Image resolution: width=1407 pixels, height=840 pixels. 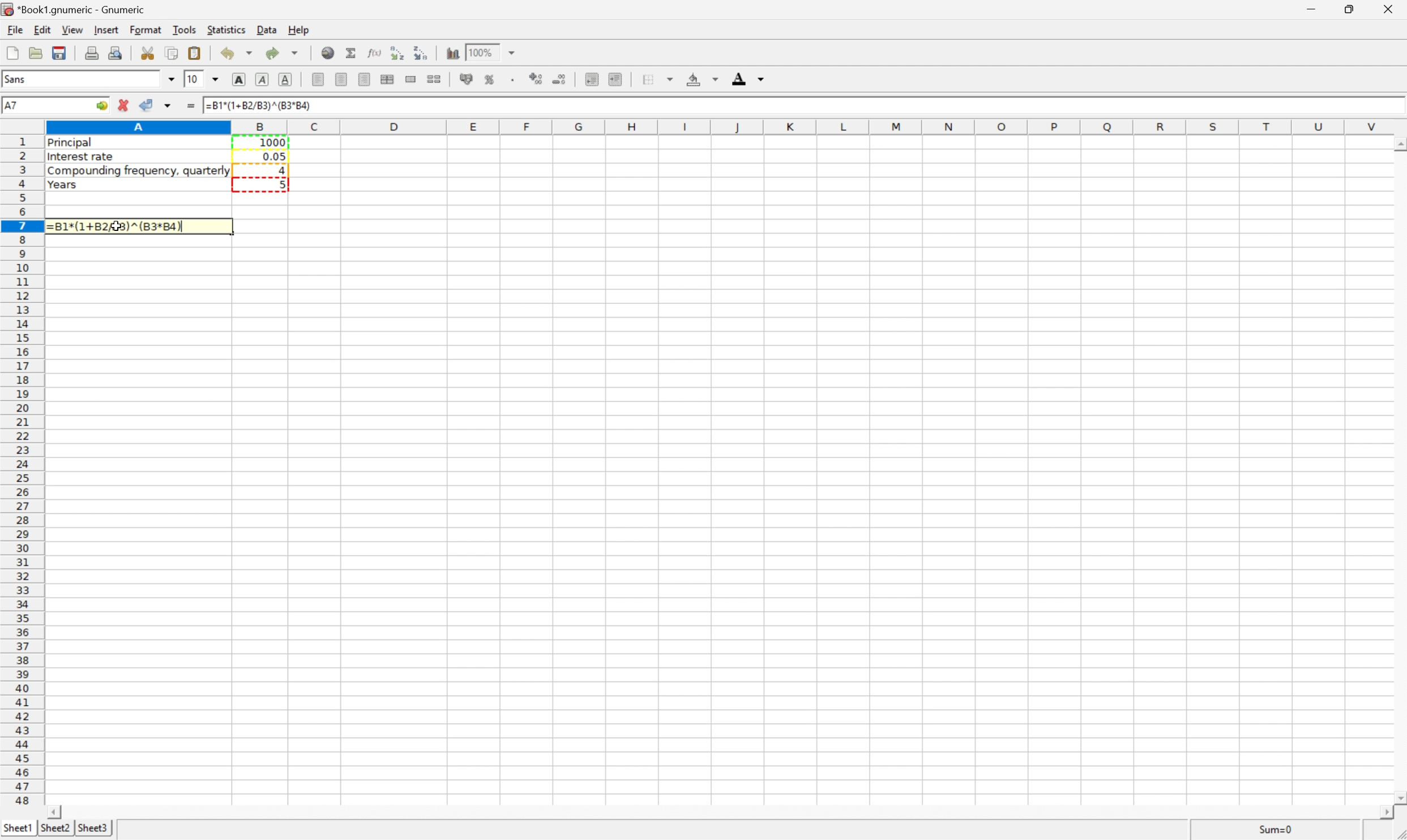 I want to click on edit, so click(x=41, y=29).